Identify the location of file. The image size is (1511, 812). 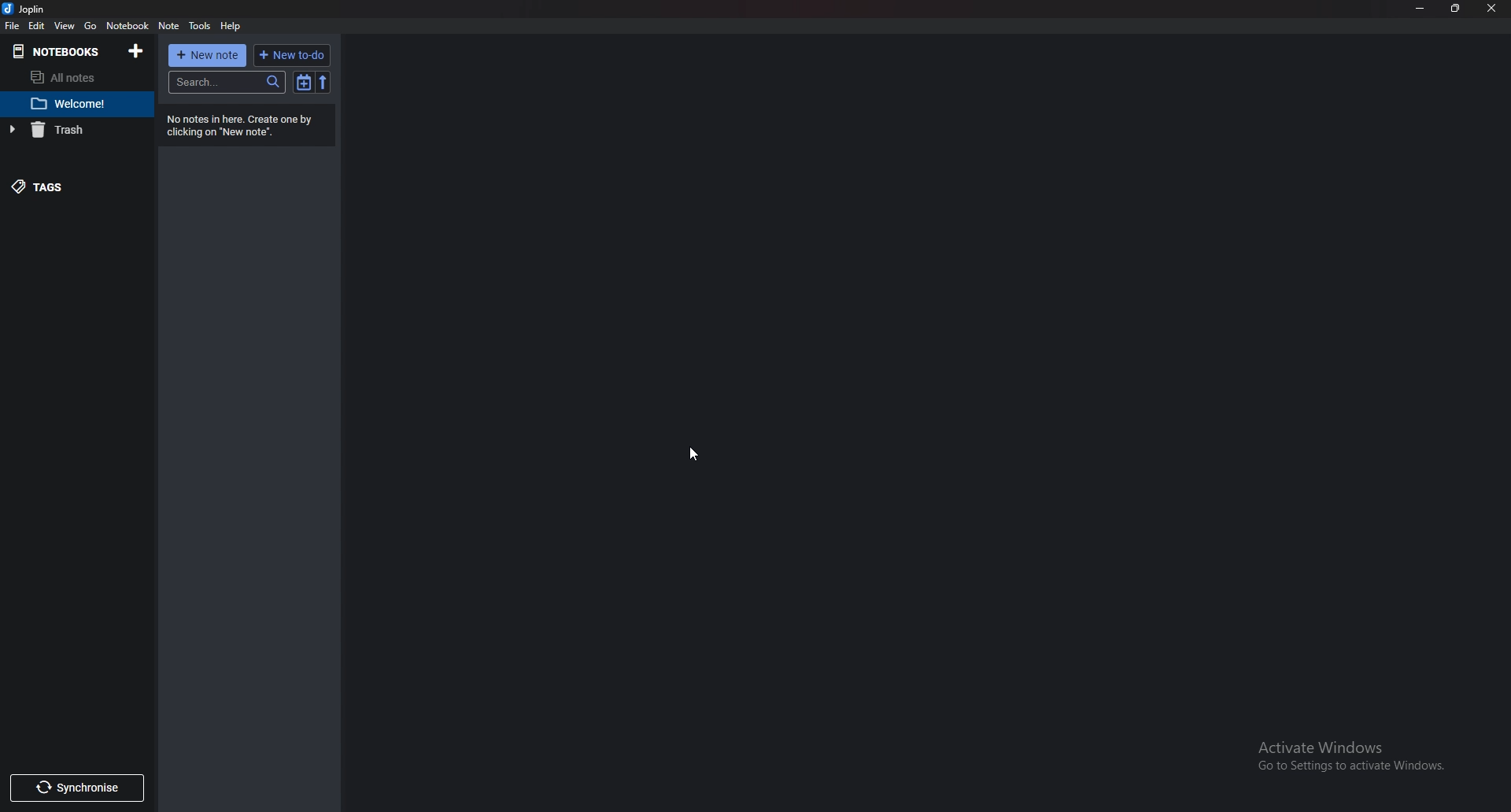
(12, 26).